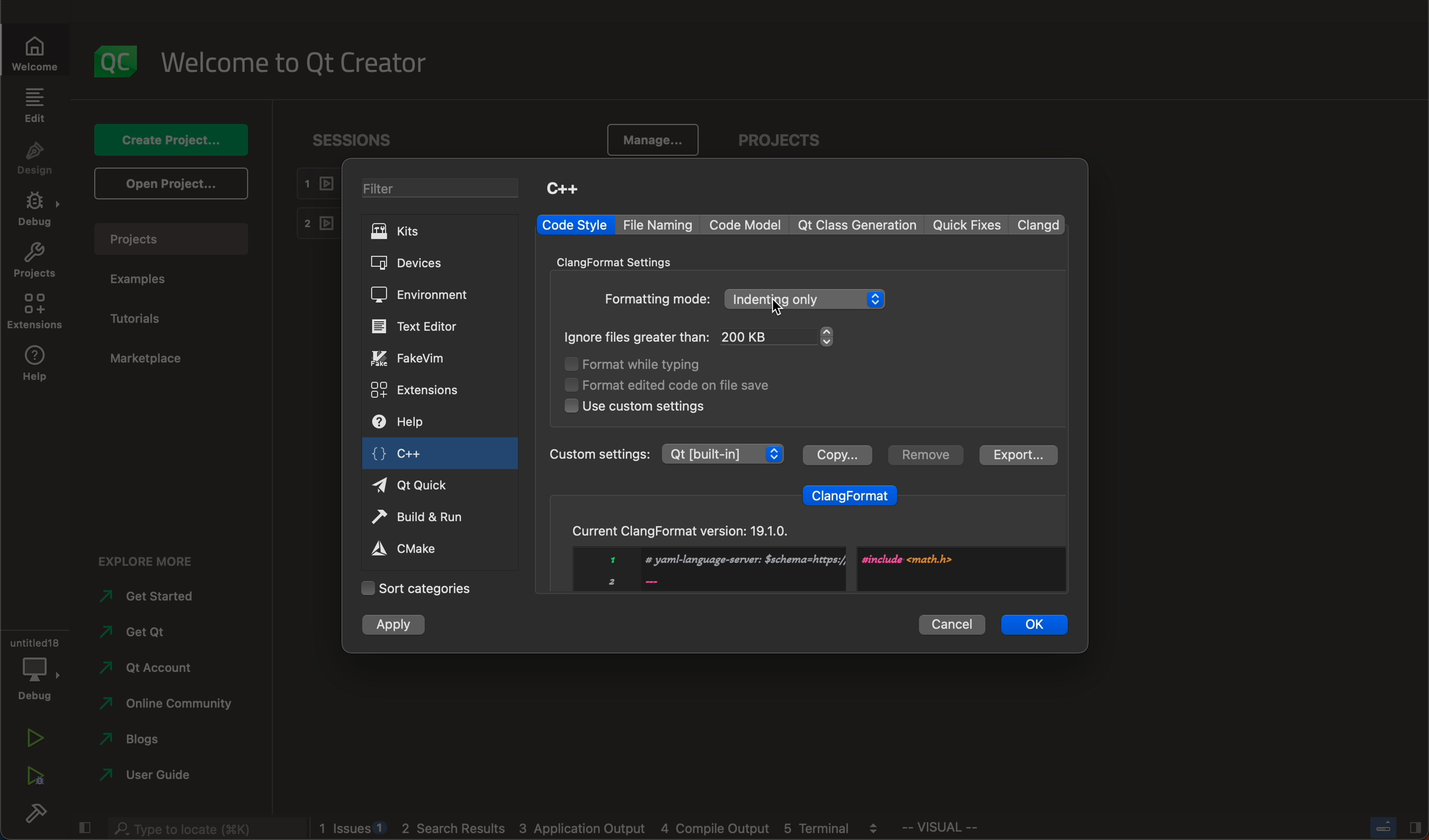 The image size is (1429, 840). I want to click on manage, so click(648, 141).